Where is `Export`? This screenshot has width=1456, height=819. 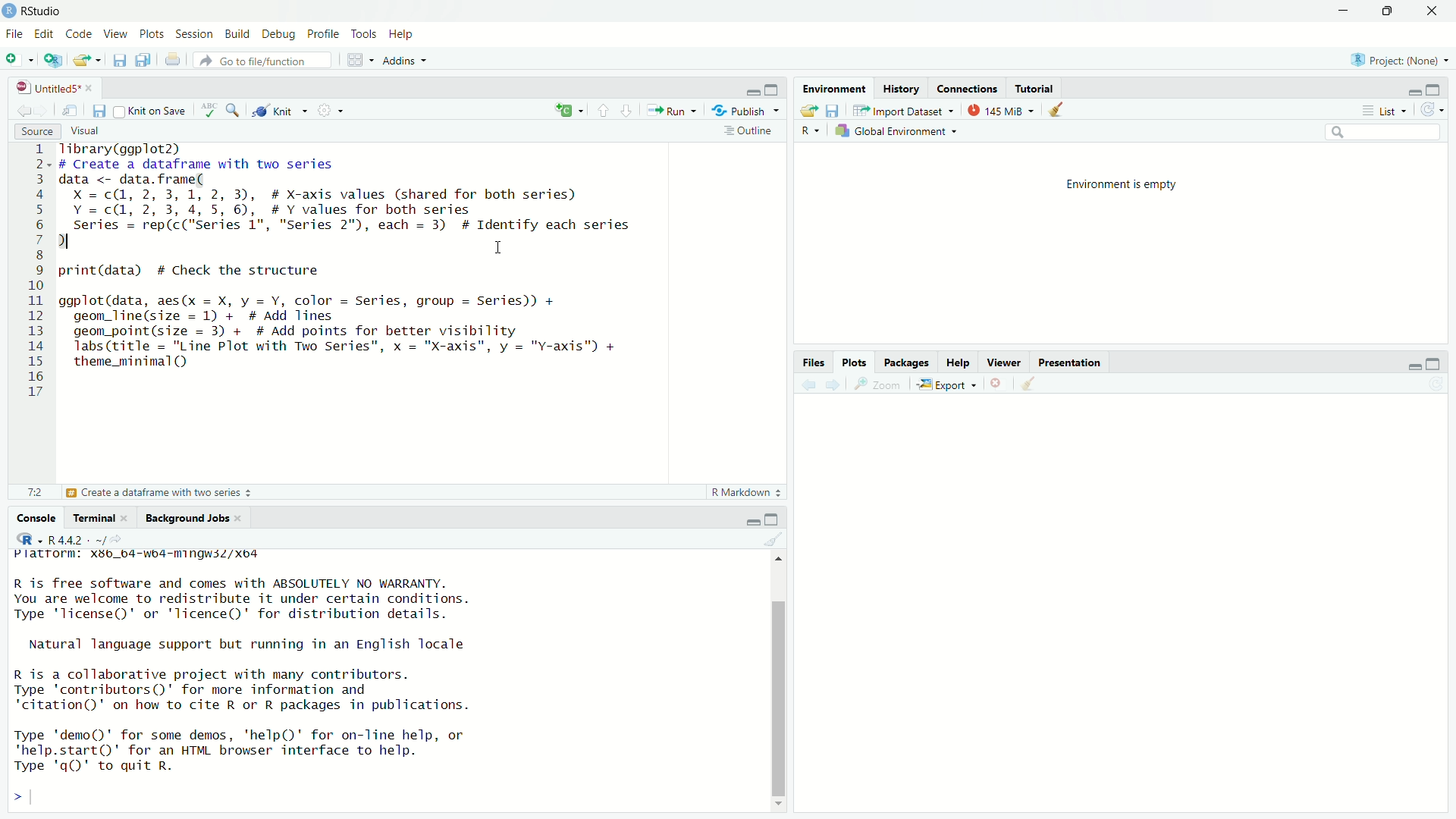 Export is located at coordinates (946, 384).